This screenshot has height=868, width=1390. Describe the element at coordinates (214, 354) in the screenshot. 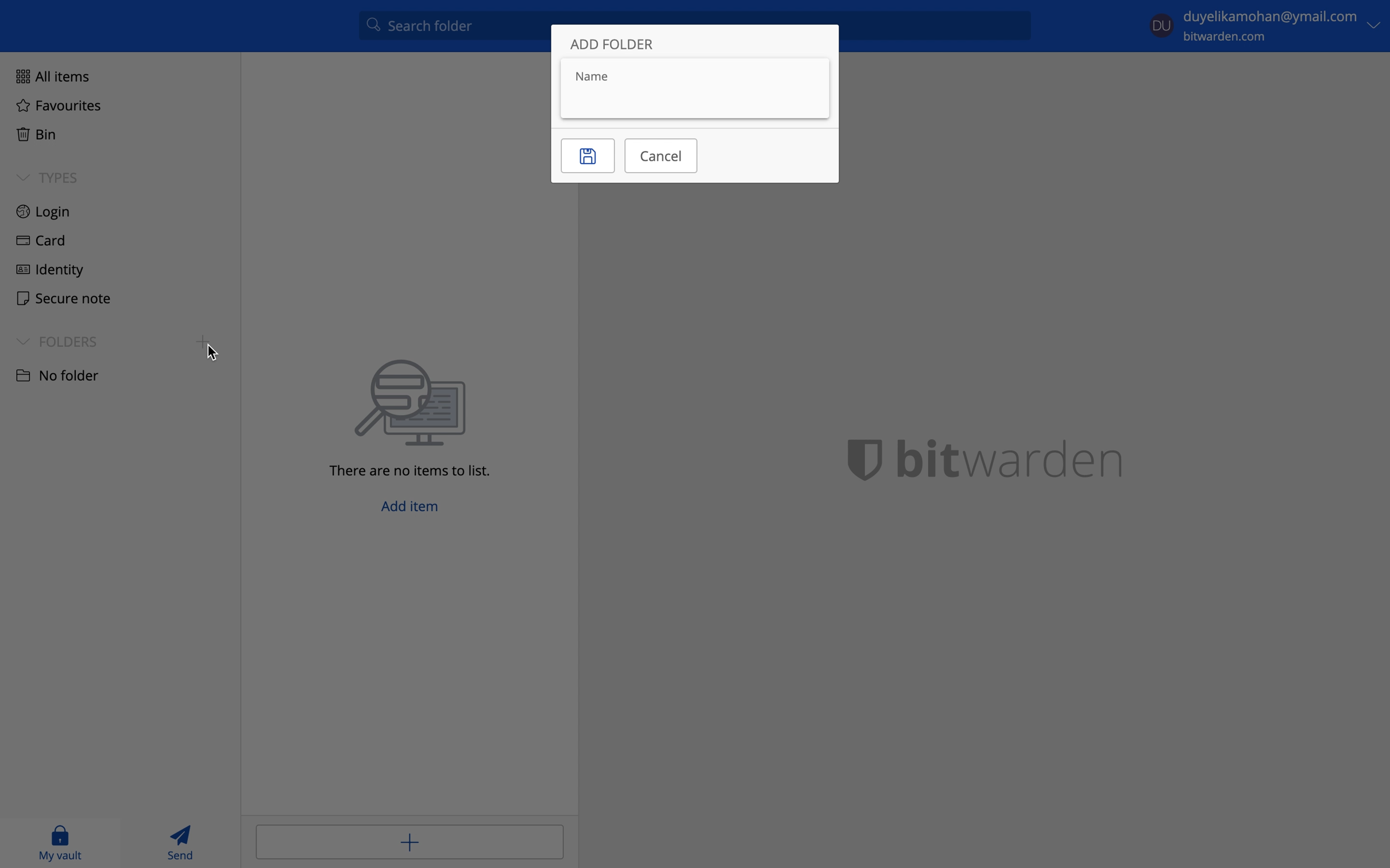

I see `cursor` at that location.